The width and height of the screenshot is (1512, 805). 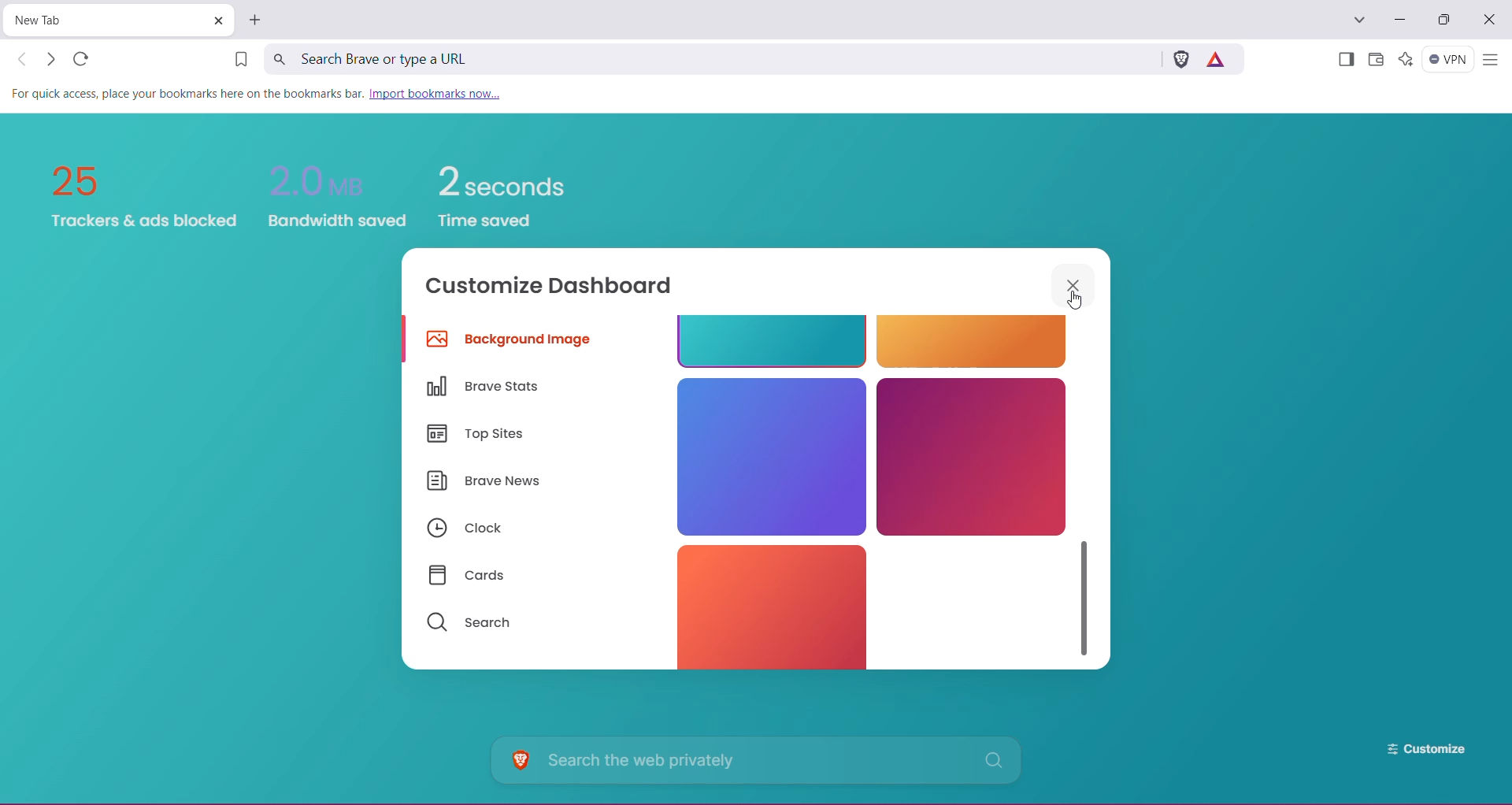 What do you see at coordinates (473, 576) in the screenshot?
I see `Cards` at bounding box center [473, 576].